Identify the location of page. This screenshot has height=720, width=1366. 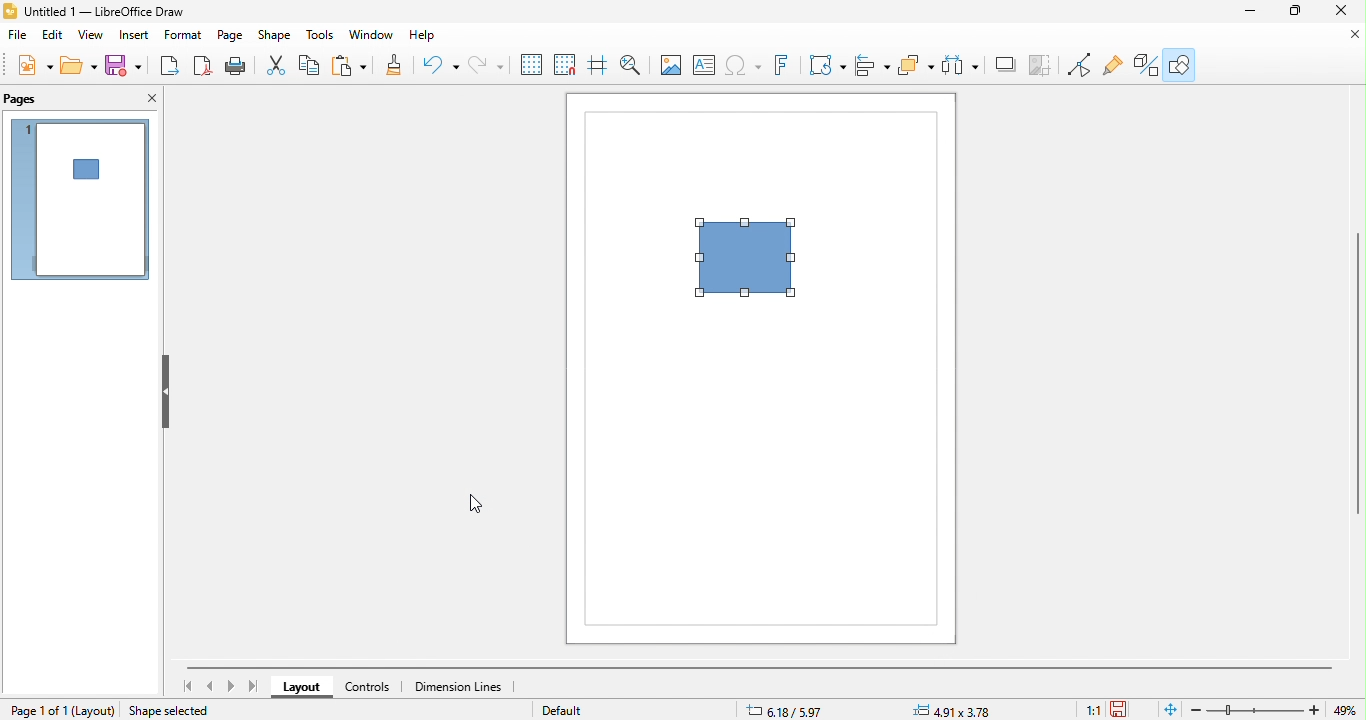
(231, 38).